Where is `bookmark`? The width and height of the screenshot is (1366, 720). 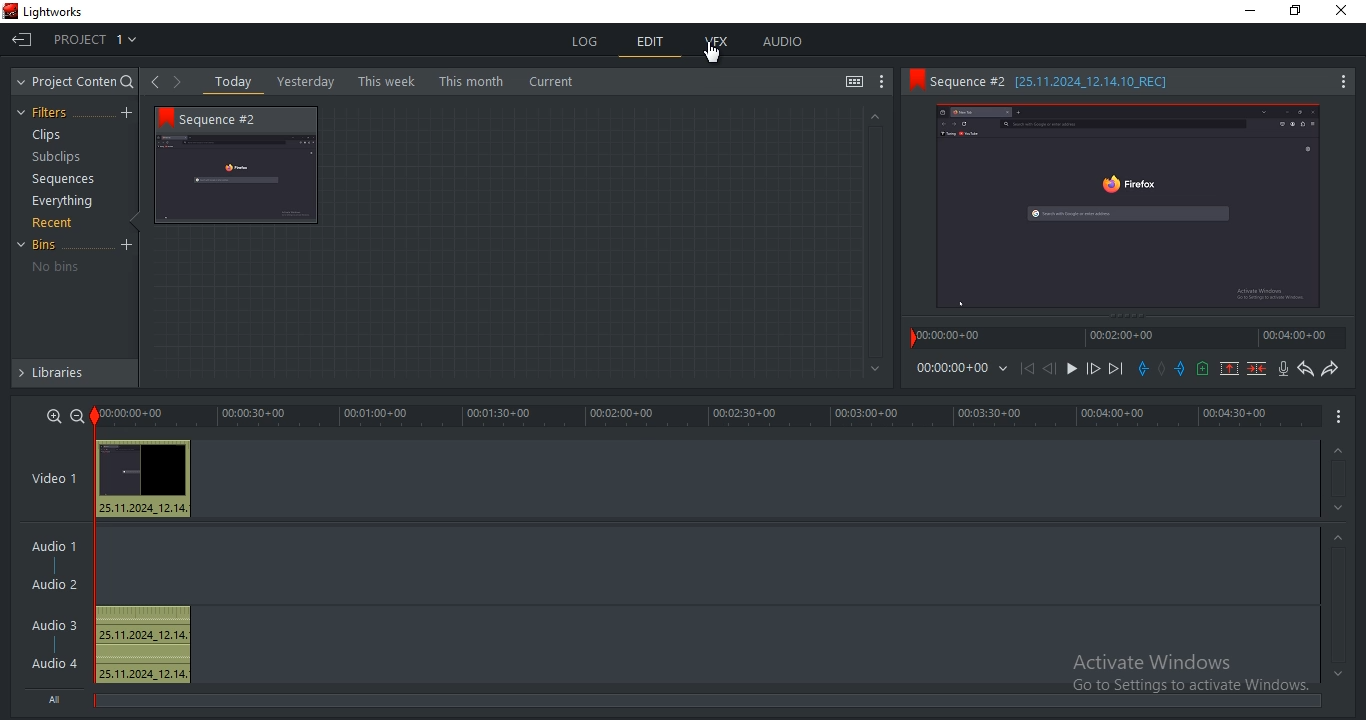
bookmark is located at coordinates (915, 82).